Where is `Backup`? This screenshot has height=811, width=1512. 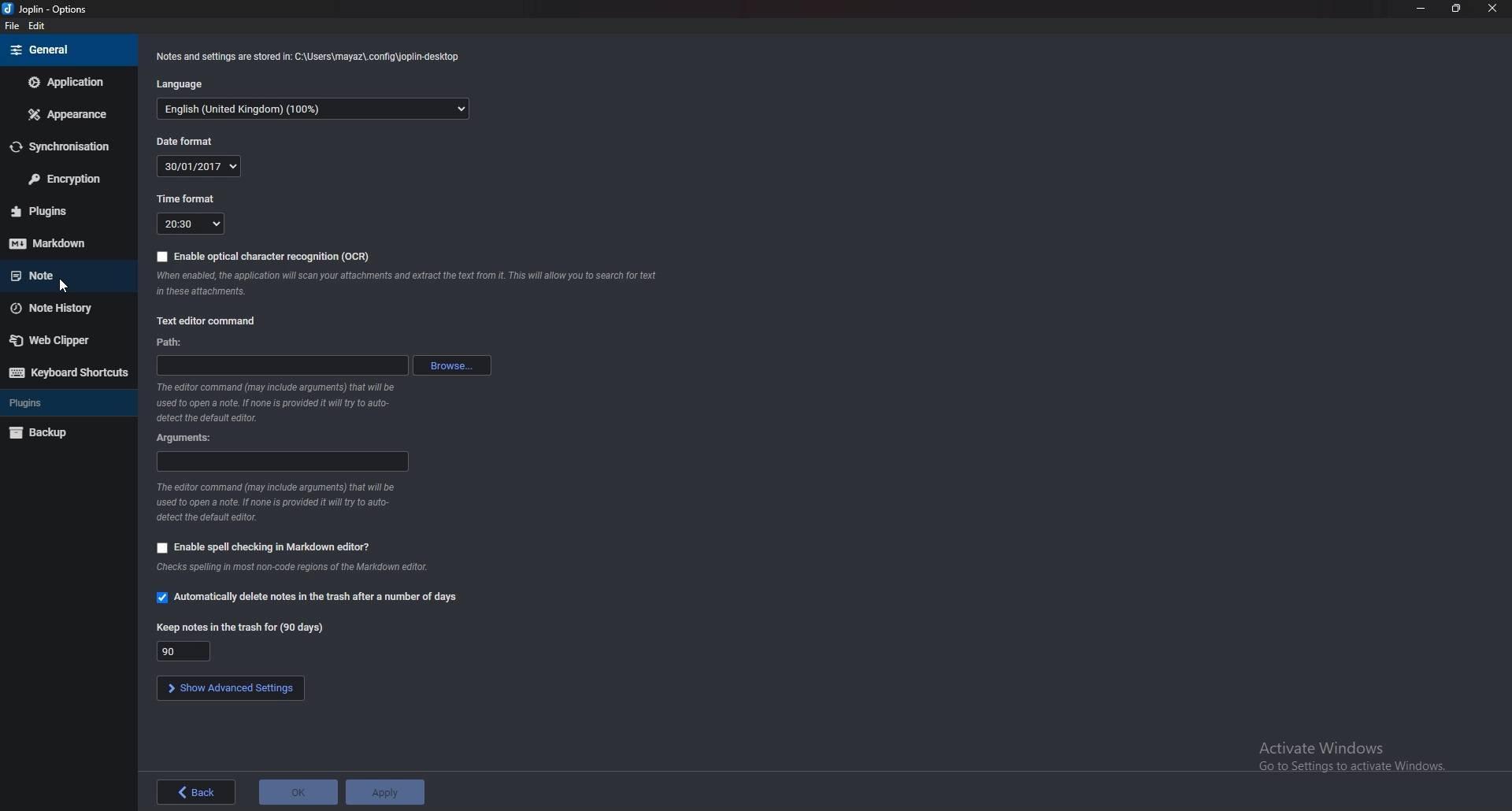 Backup is located at coordinates (66, 431).